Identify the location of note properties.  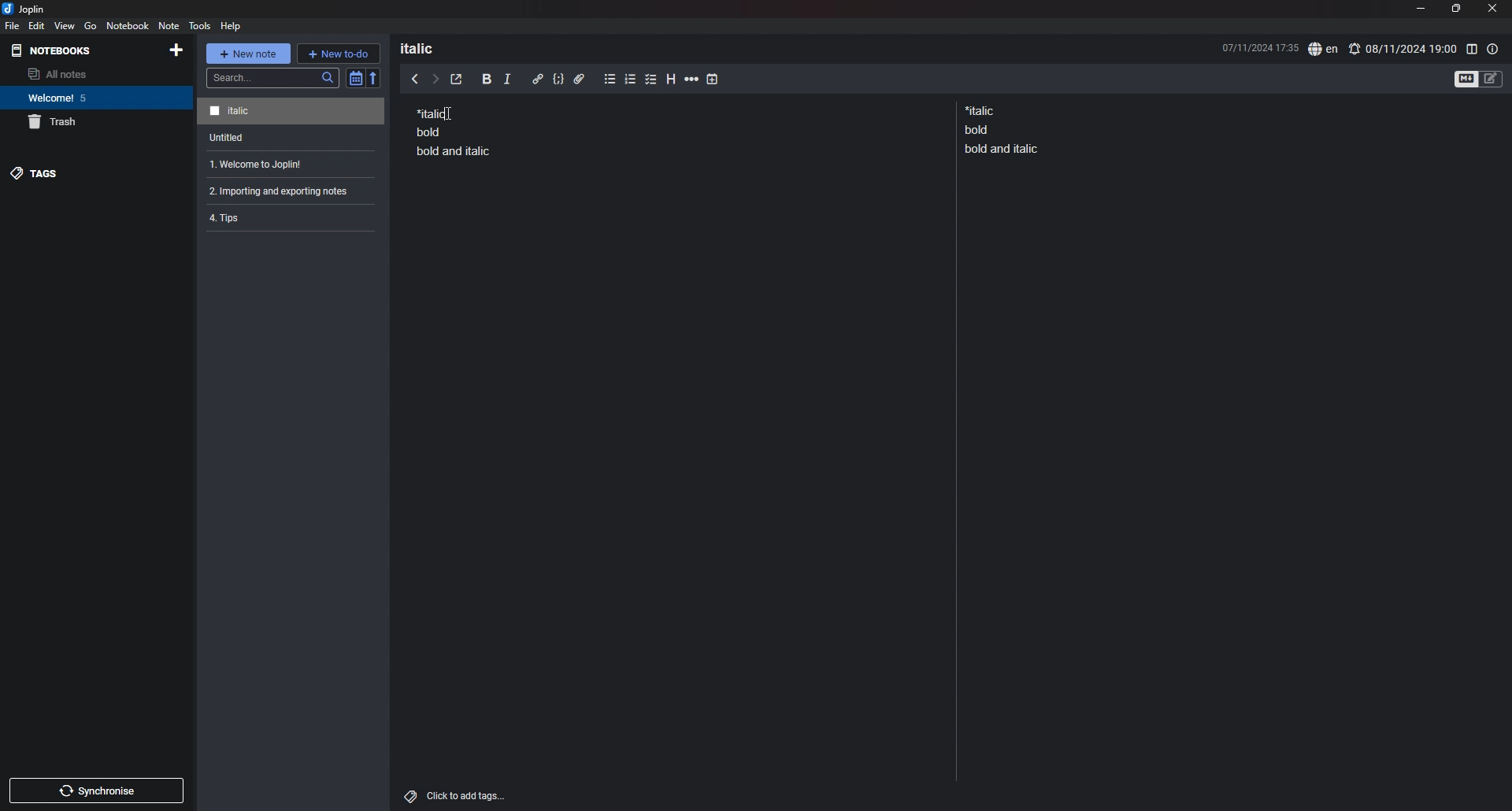
(1493, 49).